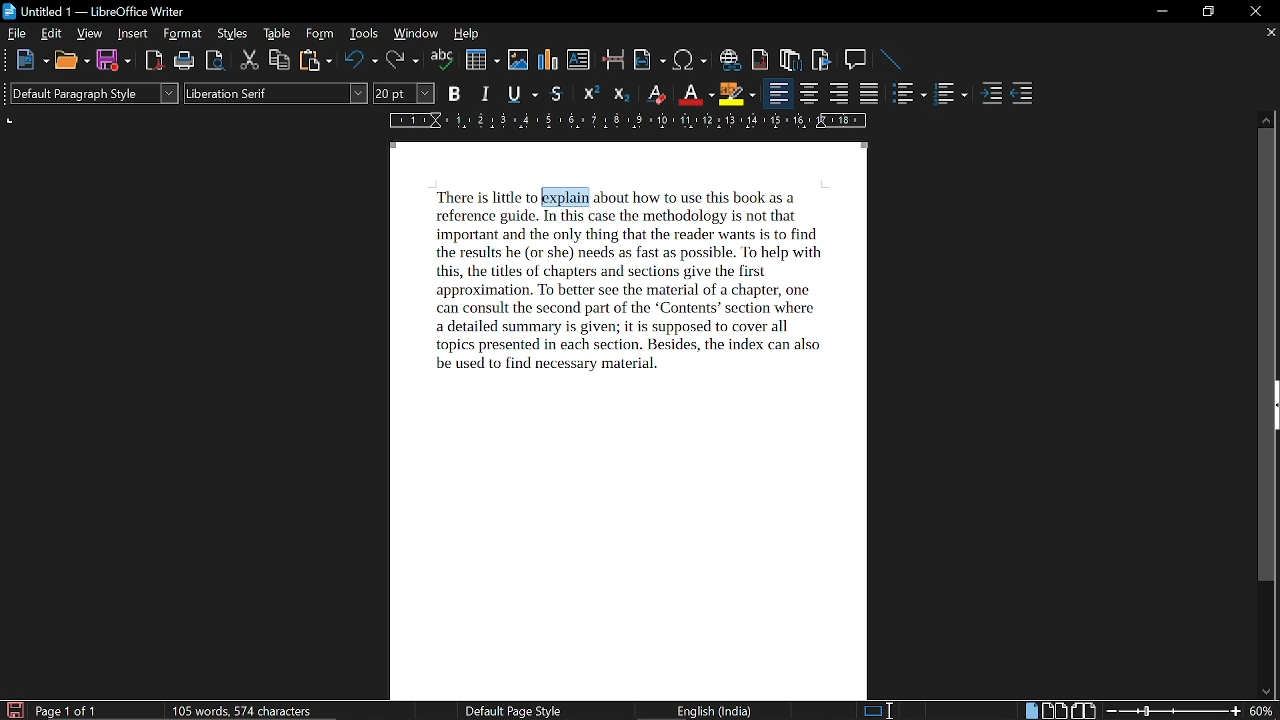 The height and width of the screenshot is (720, 1280). Describe the element at coordinates (614, 61) in the screenshot. I see `insert page break` at that location.